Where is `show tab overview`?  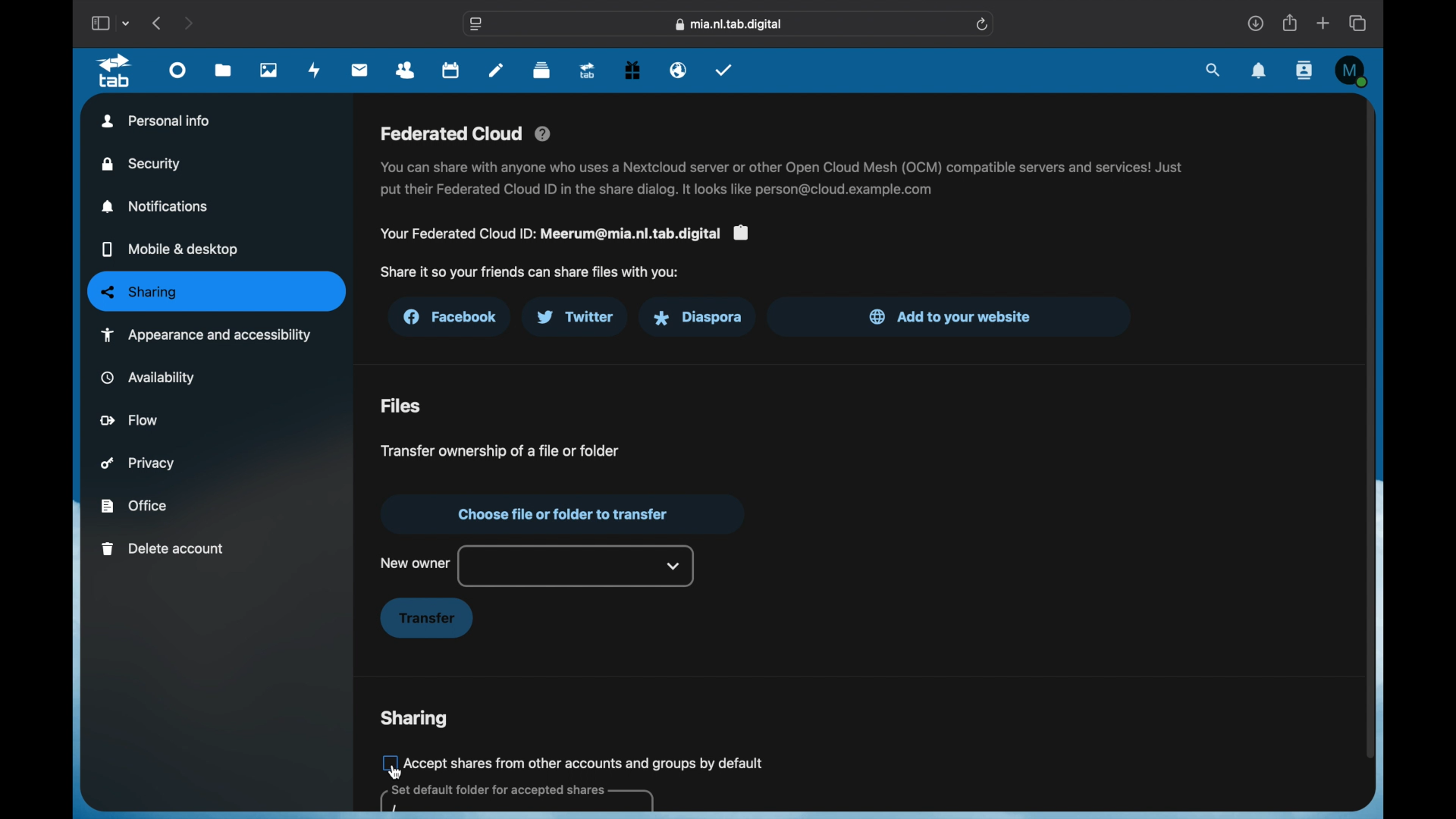 show tab overview is located at coordinates (1359, 23).